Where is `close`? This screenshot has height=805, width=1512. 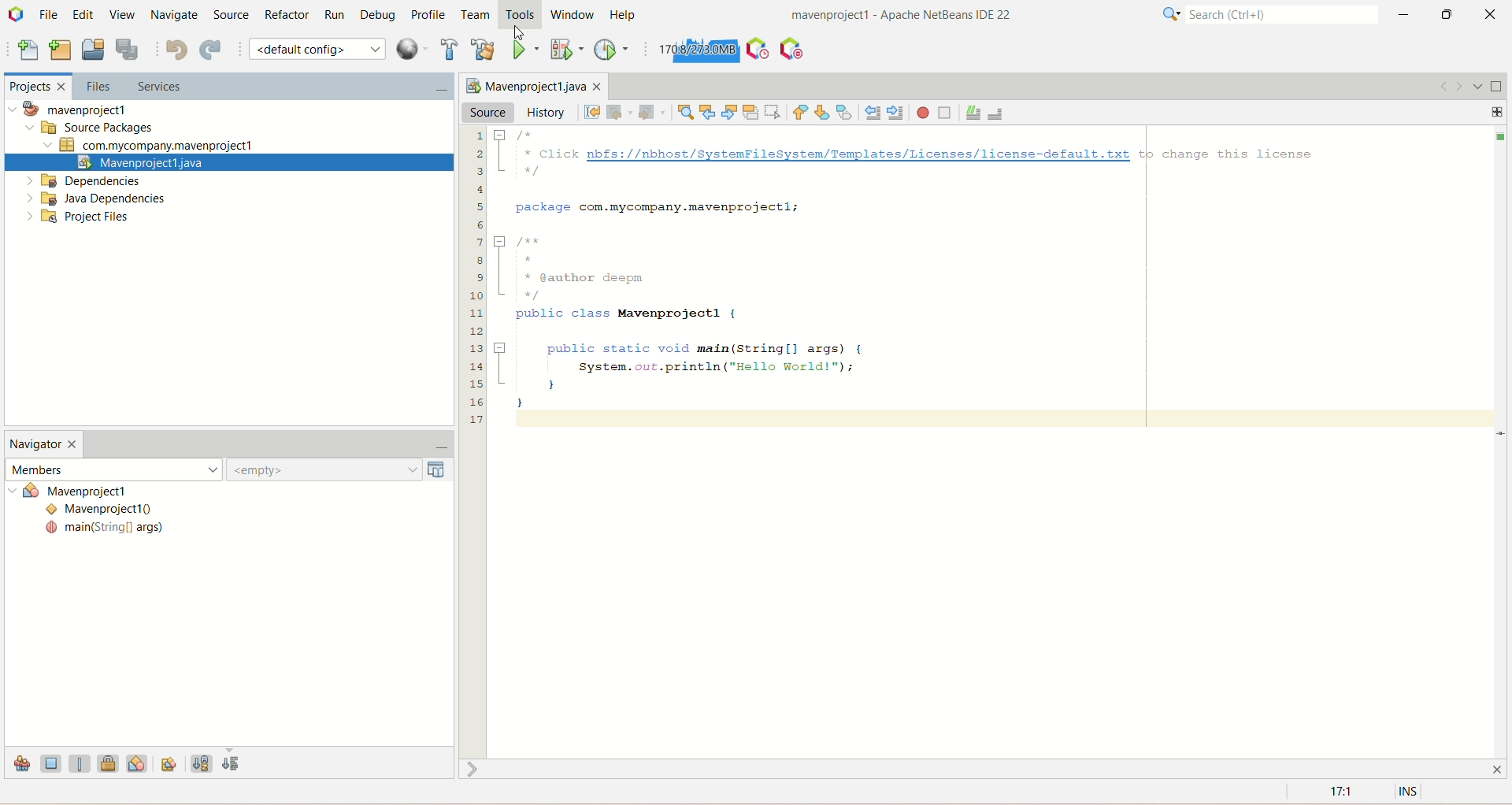 close is located at coordinates (1501, 768).